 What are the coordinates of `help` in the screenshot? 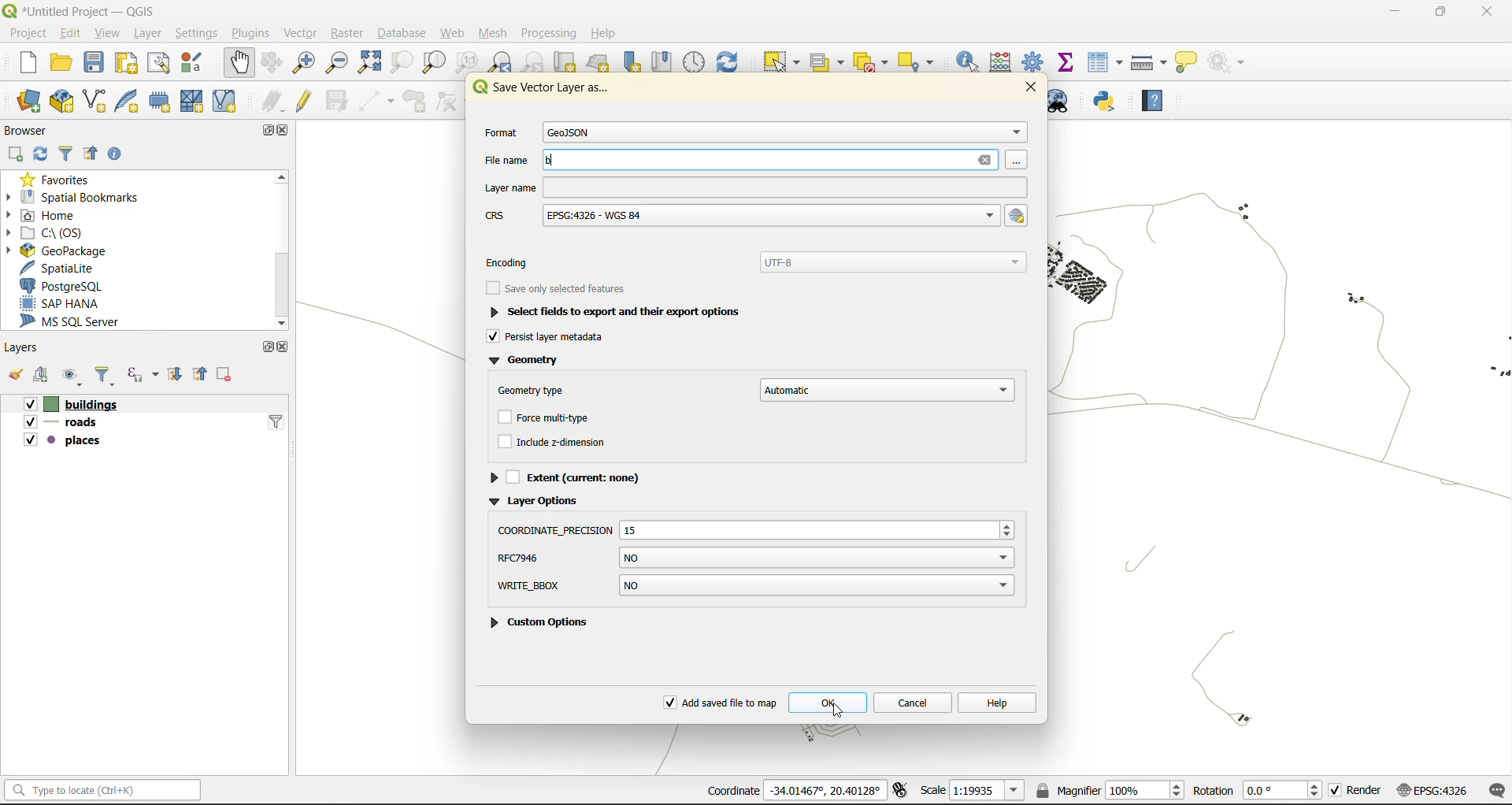 It's located at (997, 702).